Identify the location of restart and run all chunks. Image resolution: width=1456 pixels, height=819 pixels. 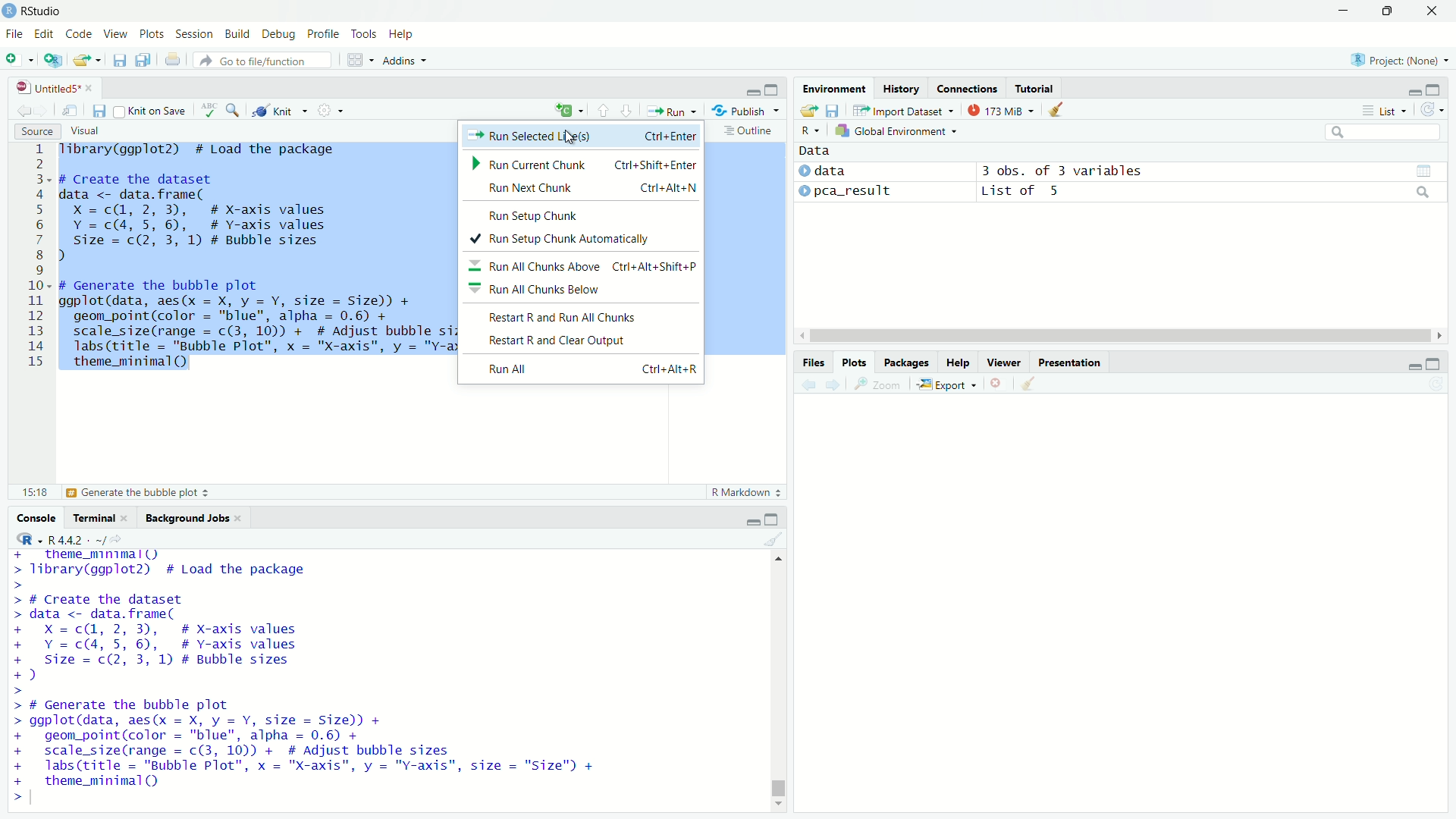
(585, 317).